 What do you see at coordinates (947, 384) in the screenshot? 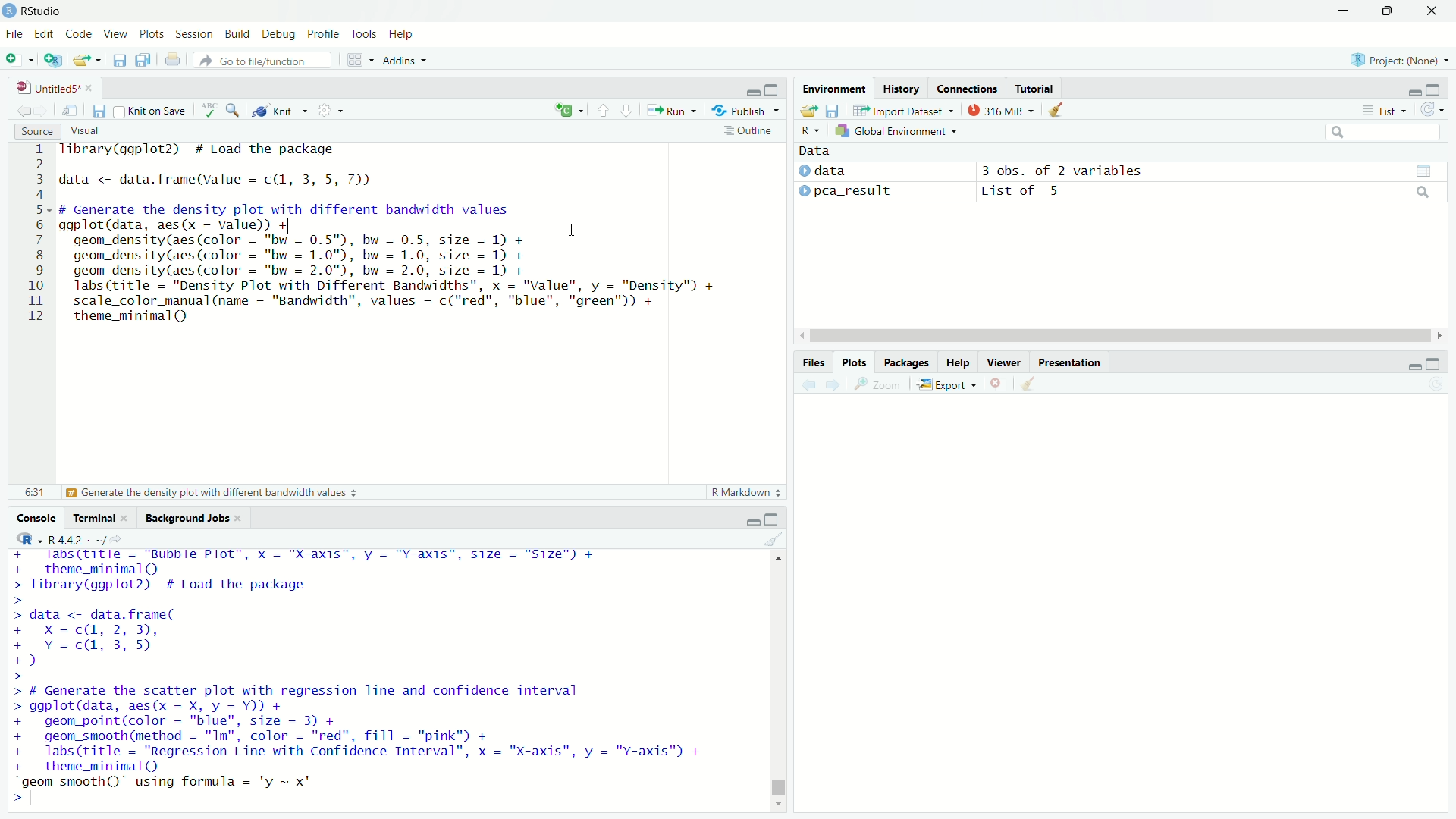
I see `Export` at bounding box center [947, 384].